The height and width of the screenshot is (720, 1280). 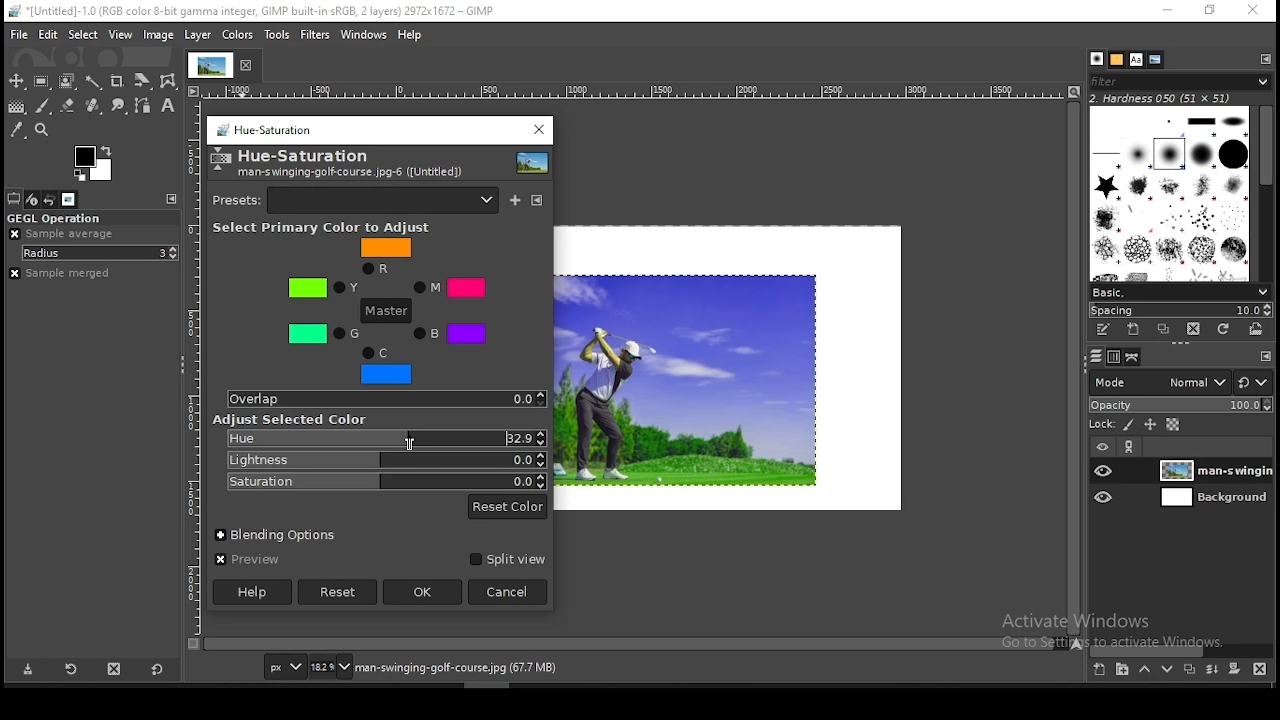 What do you see at coordinates (210, 65) in the screenshot?
I see `tab` at bounding box center [210, 65].